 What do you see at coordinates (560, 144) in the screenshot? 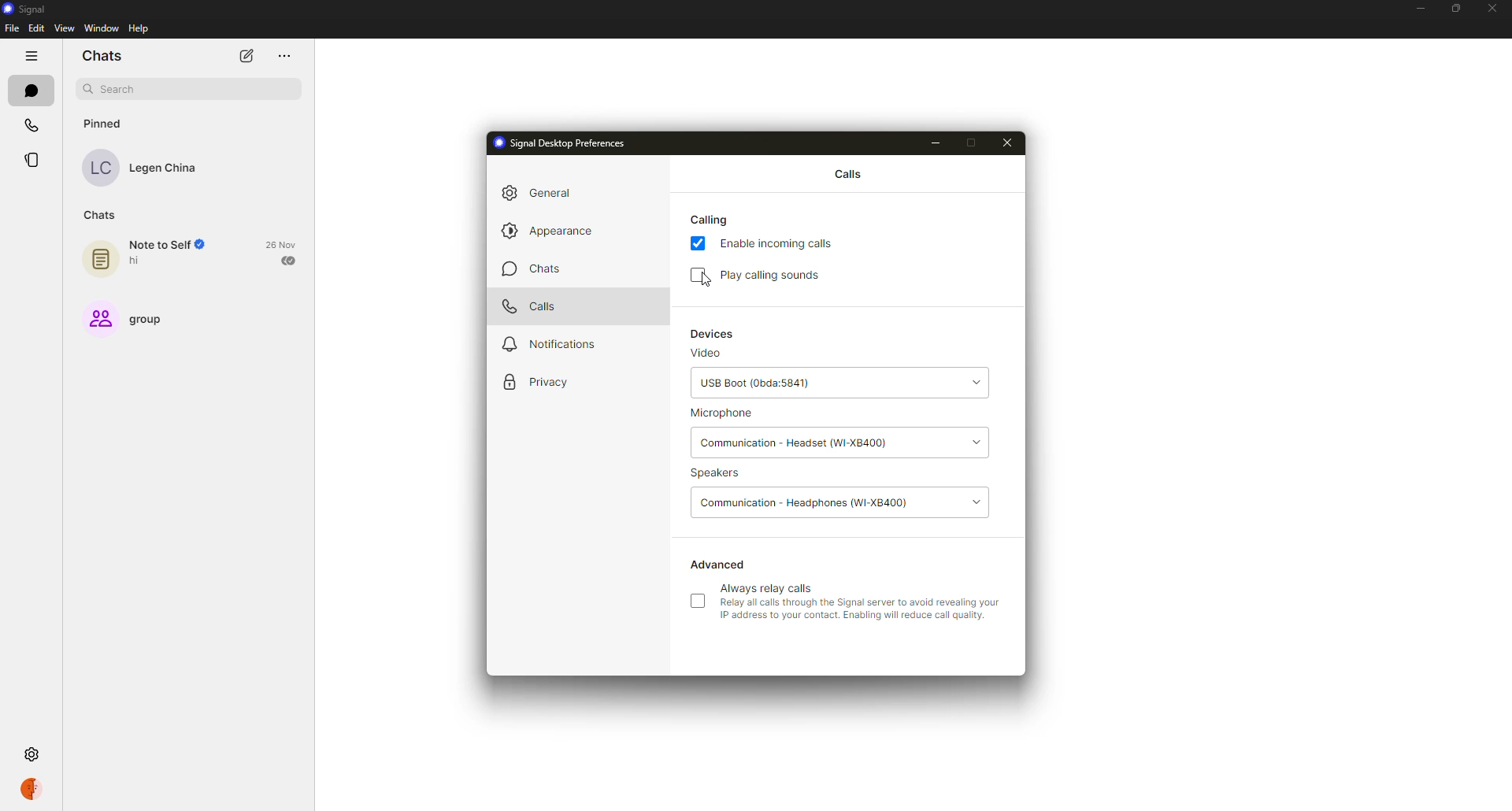
I see `signal desktop preferences` at bounding box center [560, 144].